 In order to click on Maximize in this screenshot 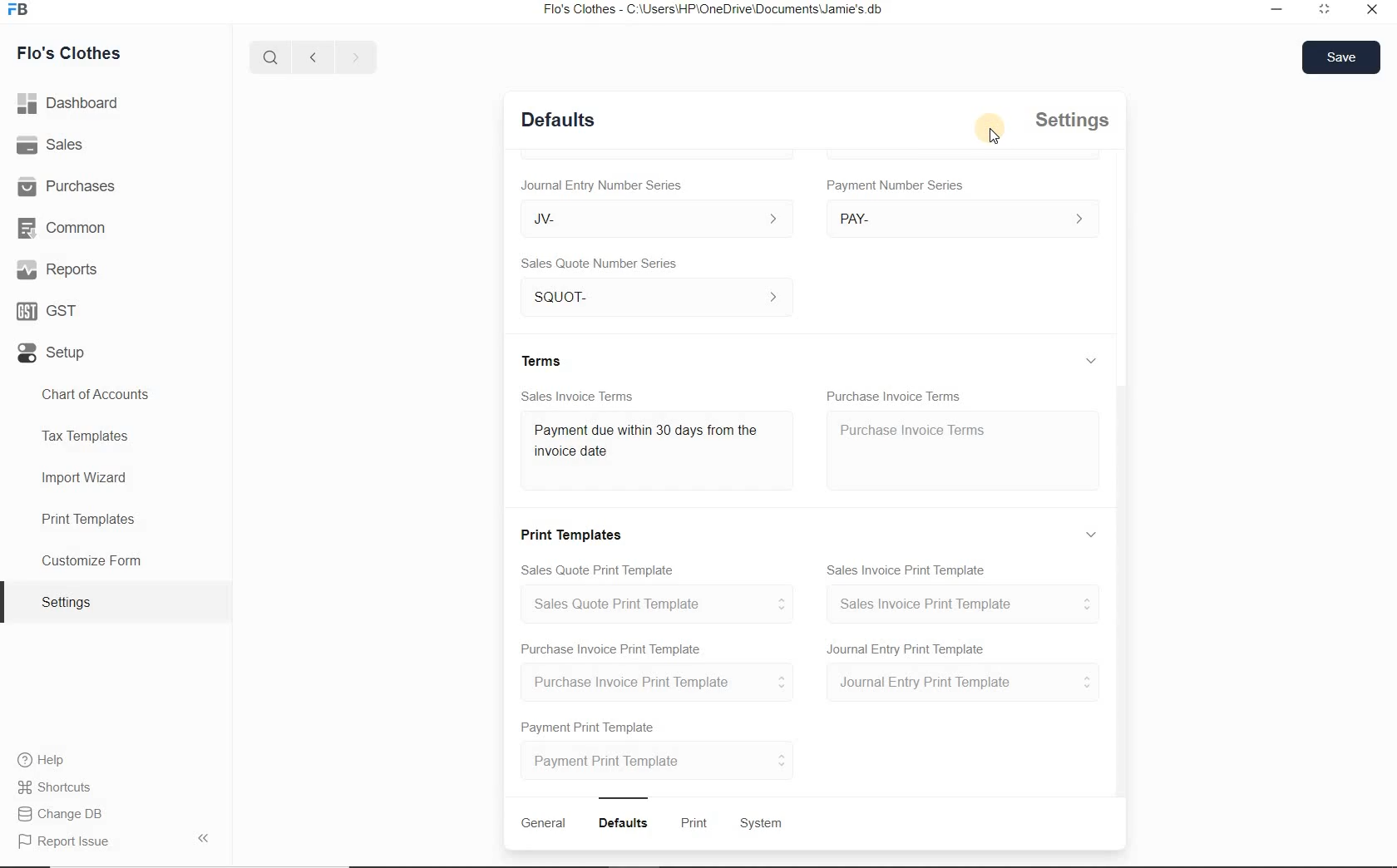, I will do `click(1327, 10)`.